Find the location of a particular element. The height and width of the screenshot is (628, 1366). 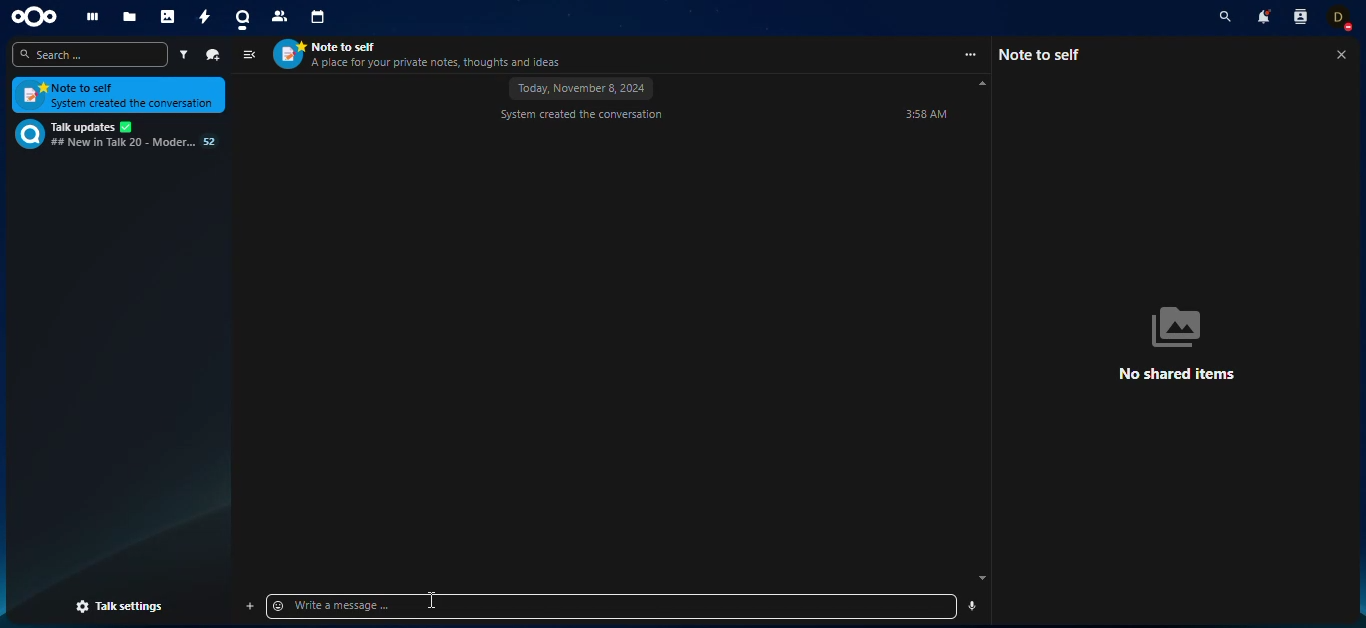

system created conversation is located at coordinates (582, 116).